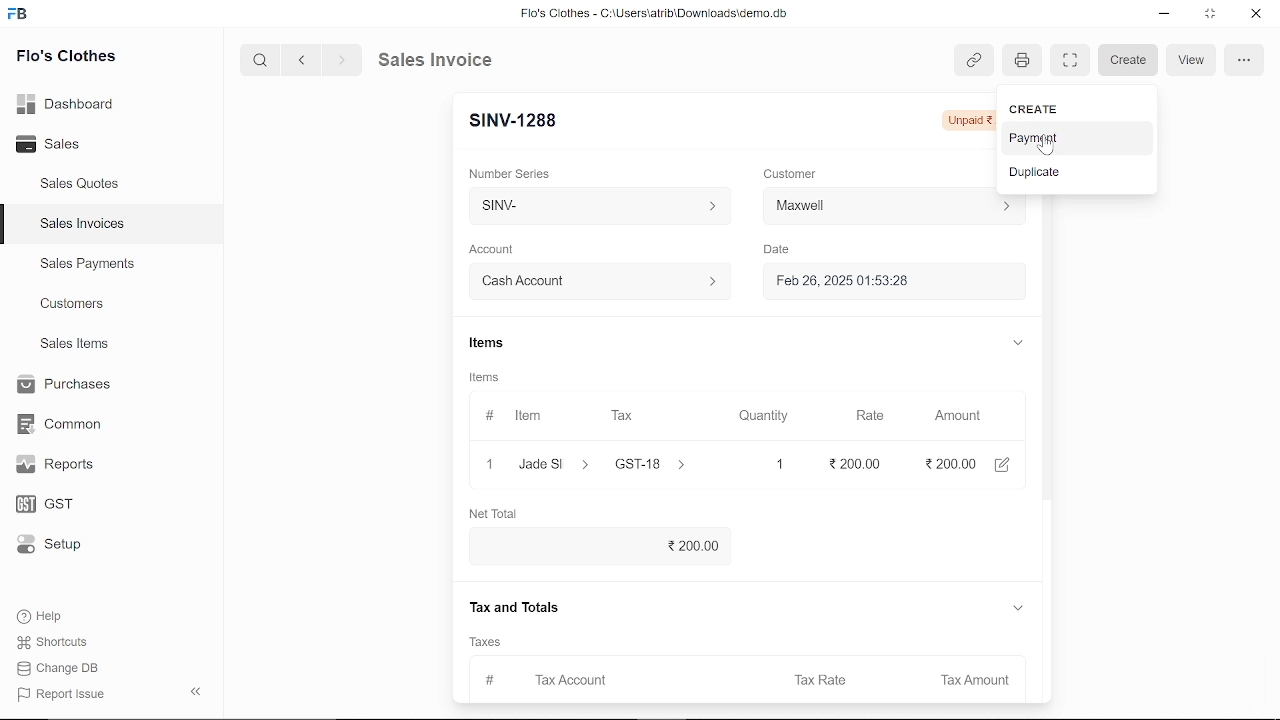 The image size is (1280, 720). Describe the element at coordinates (485, 642) in the screenshot. I see `‘Taxes` at that location.